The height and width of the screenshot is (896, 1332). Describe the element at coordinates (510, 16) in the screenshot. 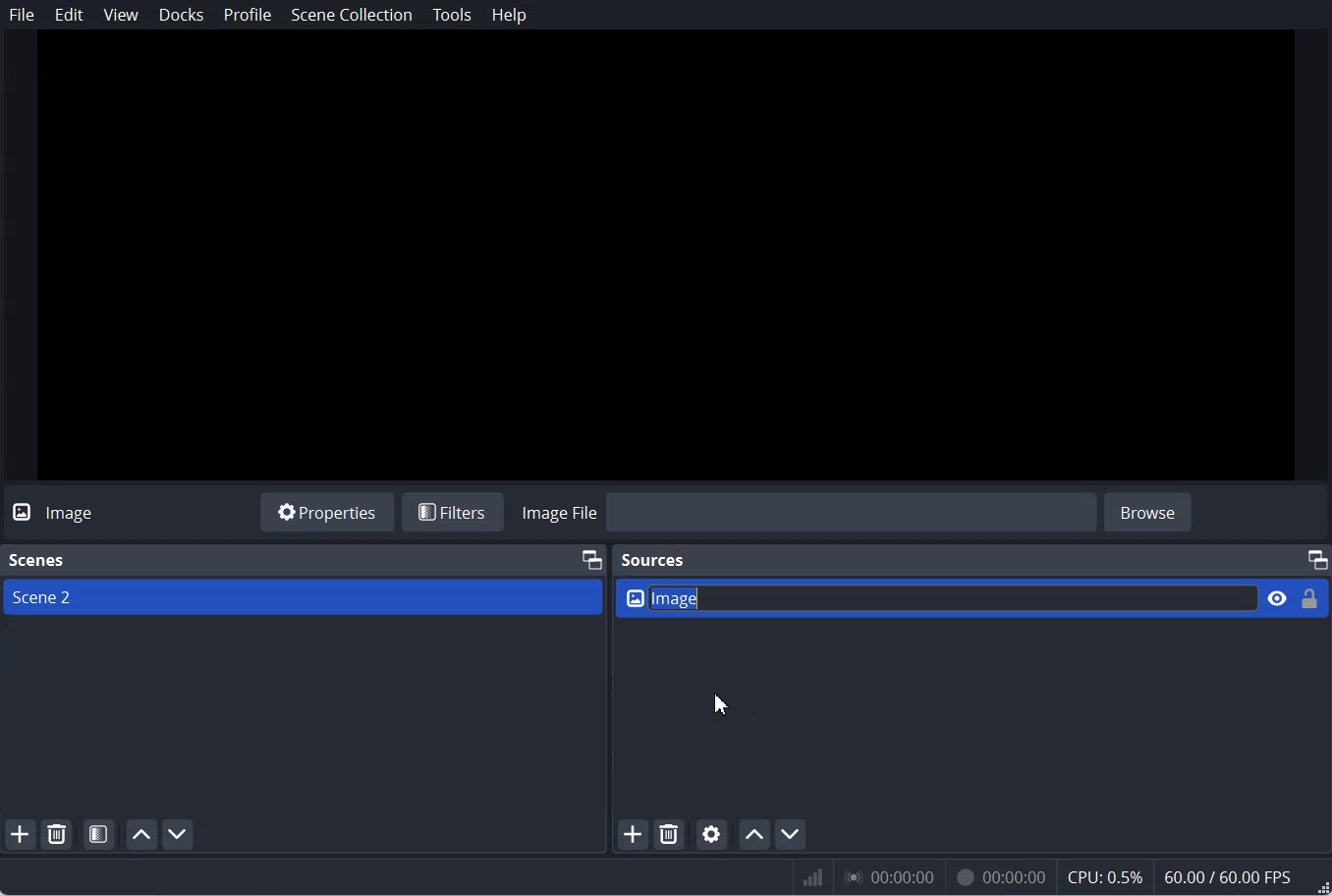

I see `Help` at that location.